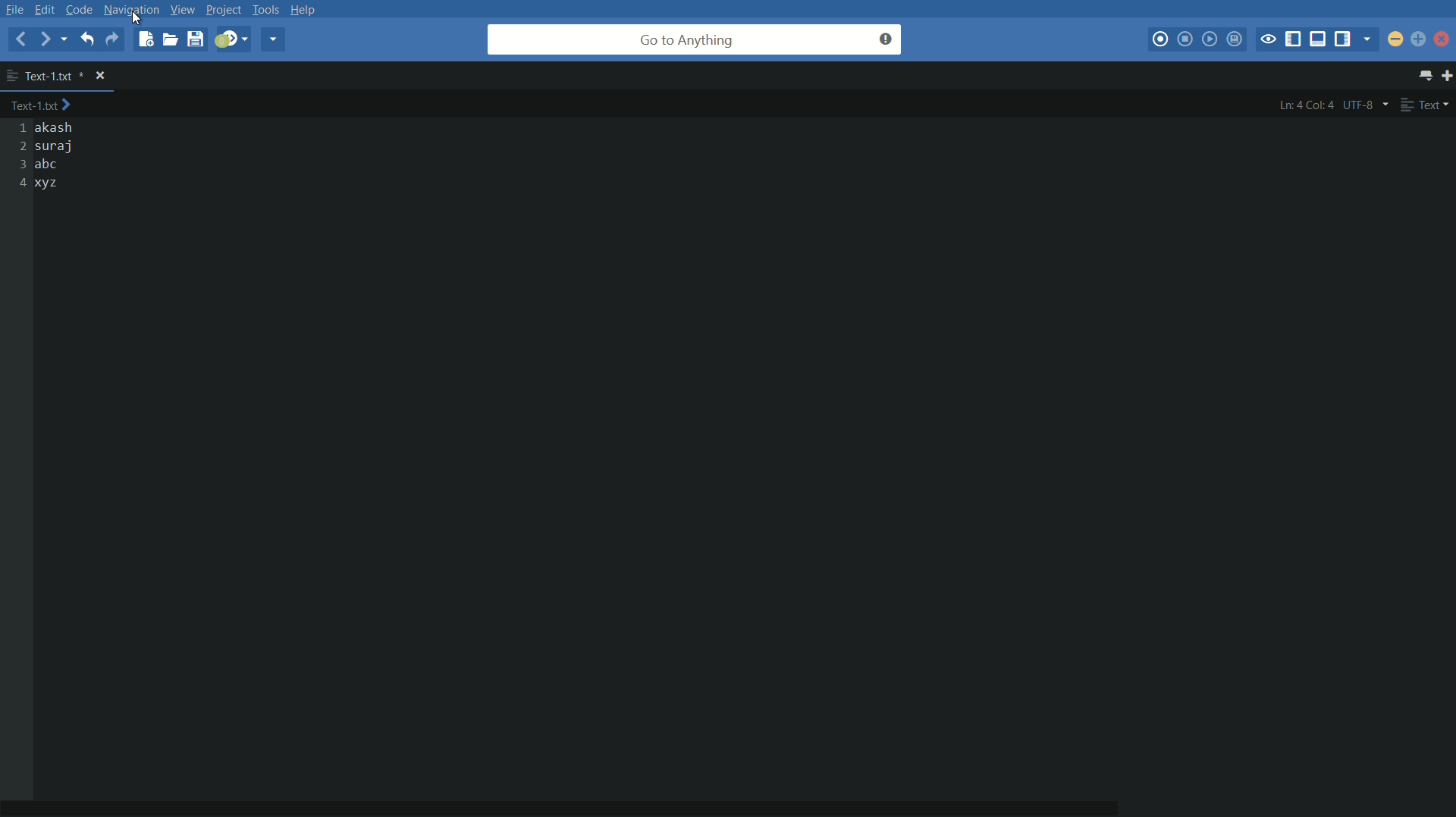 The height and width of the screenshot is (817, 1456). Describe the element at coordinates (1319, 39) in the screenshot. I see `show/hide bottom panel` at that location.